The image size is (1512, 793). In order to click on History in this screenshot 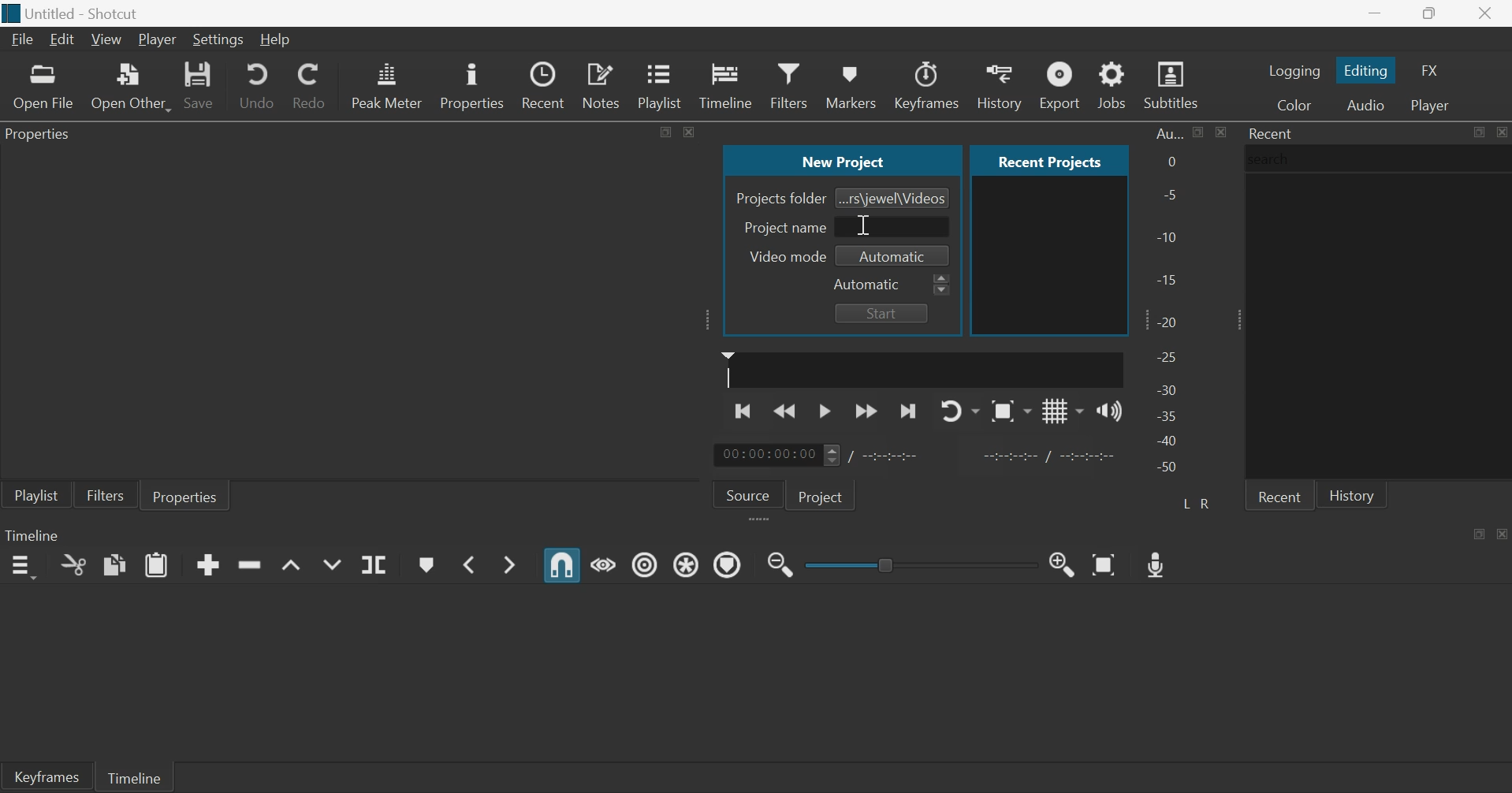, I will do `click(1352, 494)`.